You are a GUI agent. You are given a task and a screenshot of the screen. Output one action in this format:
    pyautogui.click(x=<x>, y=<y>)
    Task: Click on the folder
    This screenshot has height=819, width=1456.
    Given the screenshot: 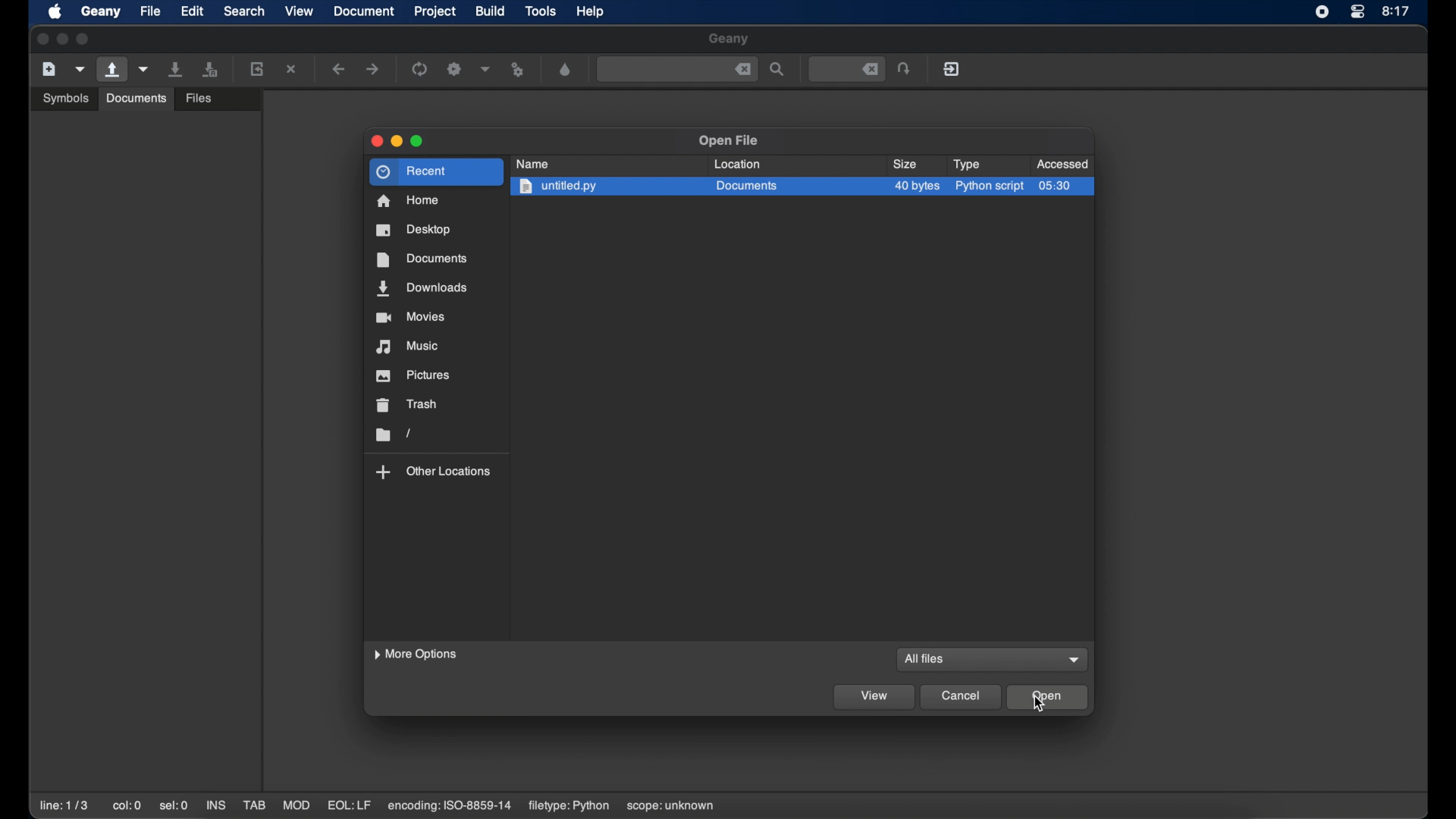 What is the action you would take?
    pyautogui.click(x=393, y=435)
    